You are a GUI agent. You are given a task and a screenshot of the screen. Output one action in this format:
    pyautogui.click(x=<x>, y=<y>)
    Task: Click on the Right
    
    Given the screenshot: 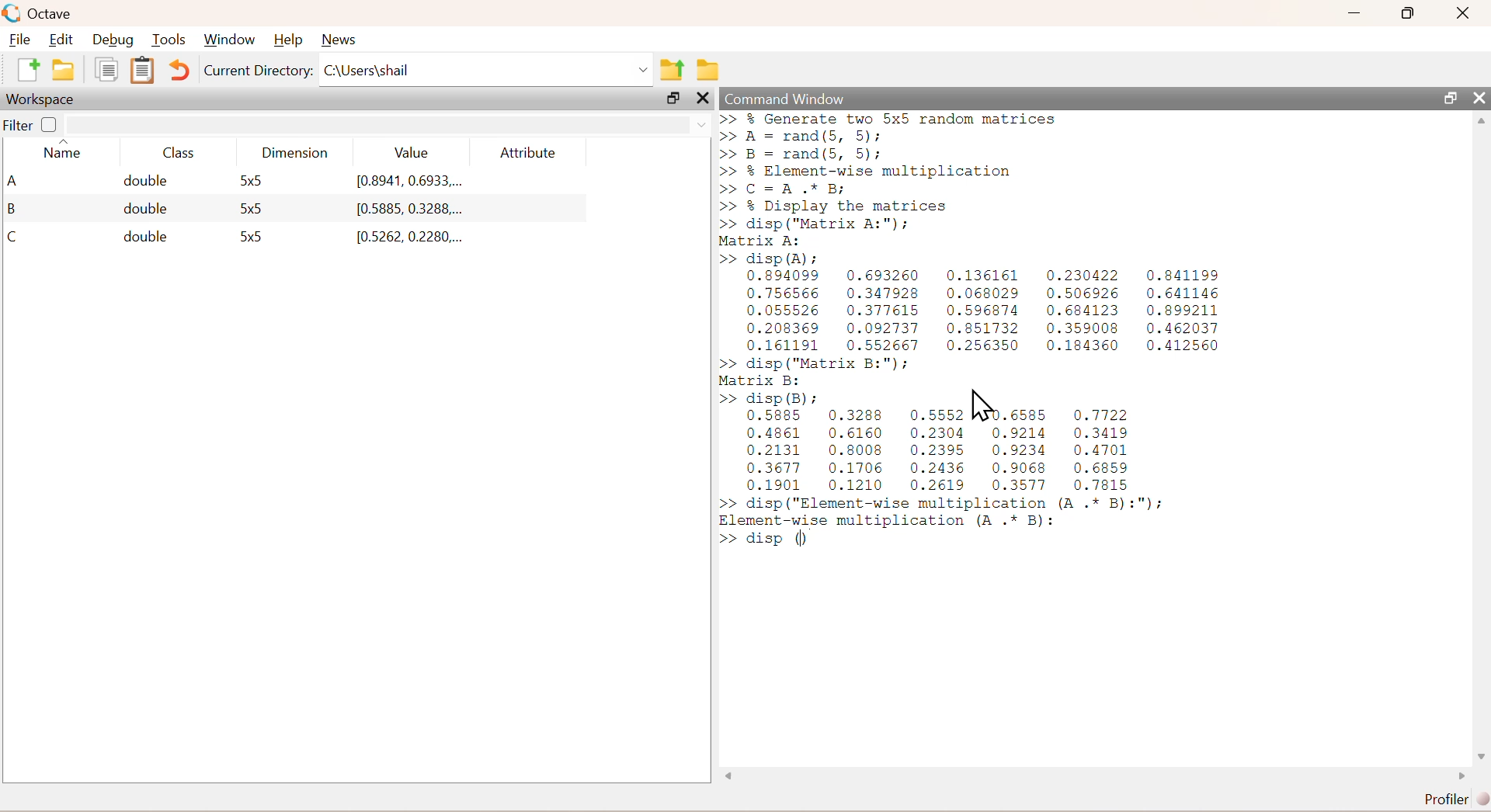 What is the action you would take?
    pyautogui.click(x=1458, y=774)
    